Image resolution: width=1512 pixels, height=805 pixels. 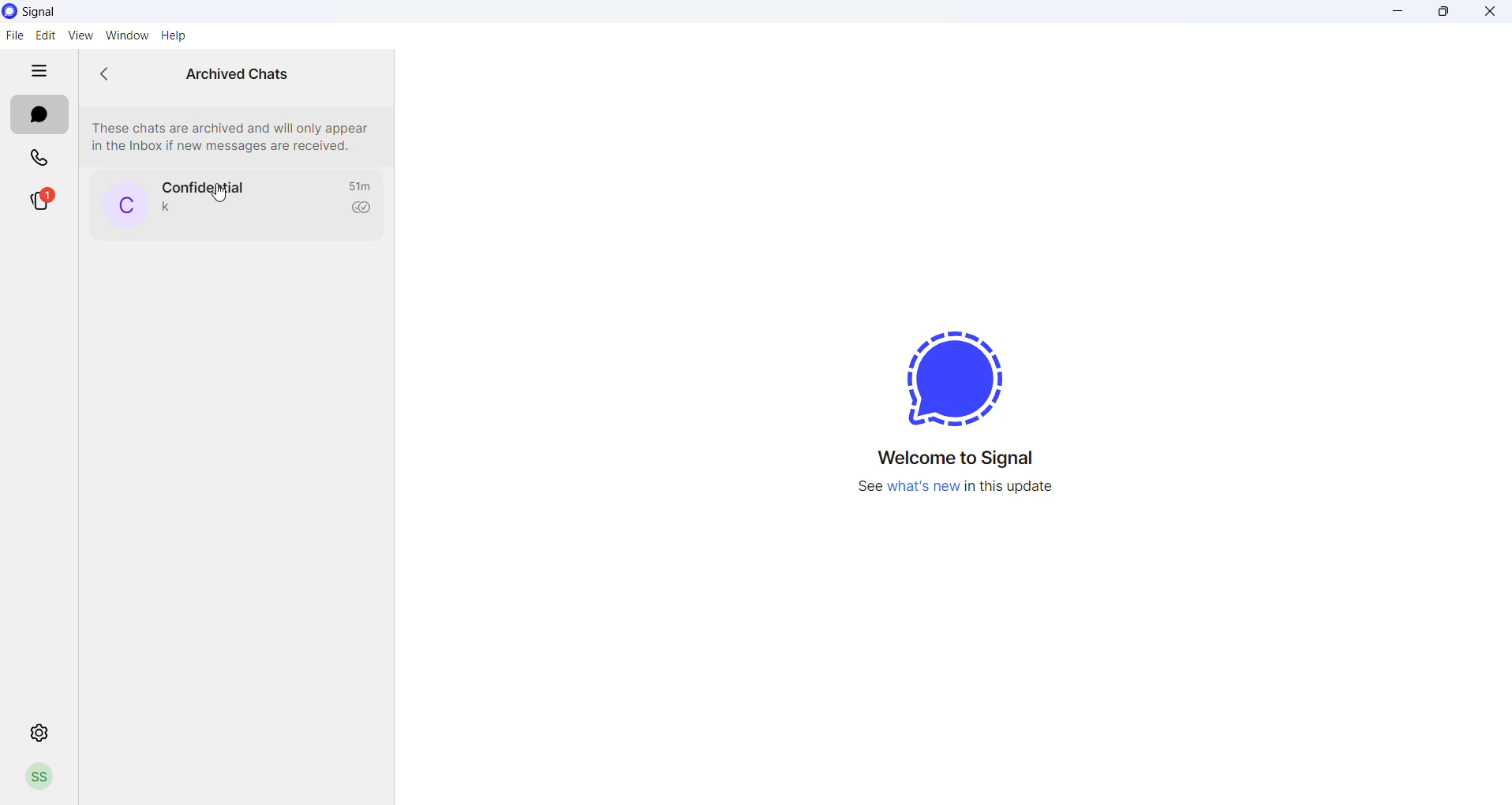 What do you see at coordinates (78, 36) in the screenshot?
I see `view` at bounding box center [78, 36].